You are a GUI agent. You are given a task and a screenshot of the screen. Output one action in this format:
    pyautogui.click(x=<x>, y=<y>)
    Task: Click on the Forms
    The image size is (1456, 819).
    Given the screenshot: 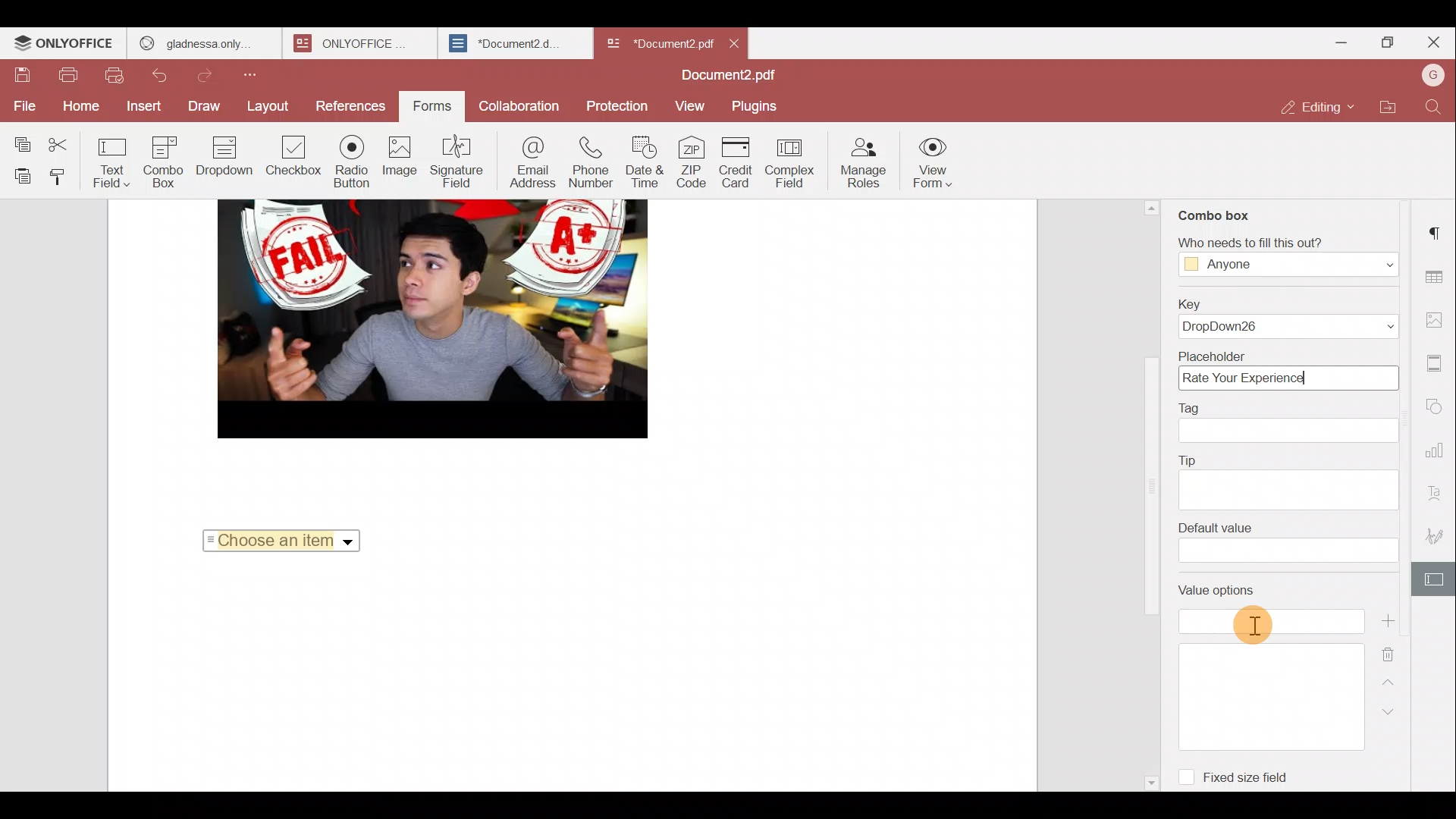 What is the action you would take?
    pyautogui.click(x=427, y=107)
    